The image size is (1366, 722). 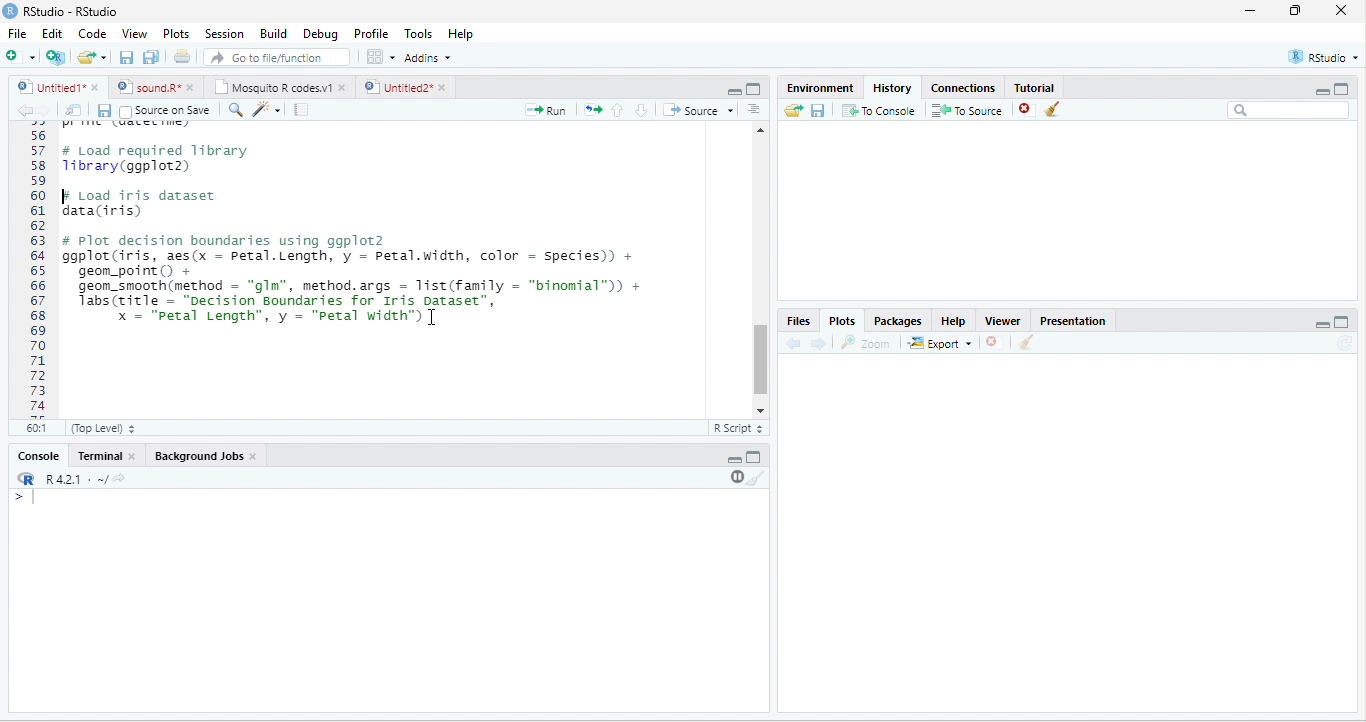 I want to click on back, so click(x=792, y=344).